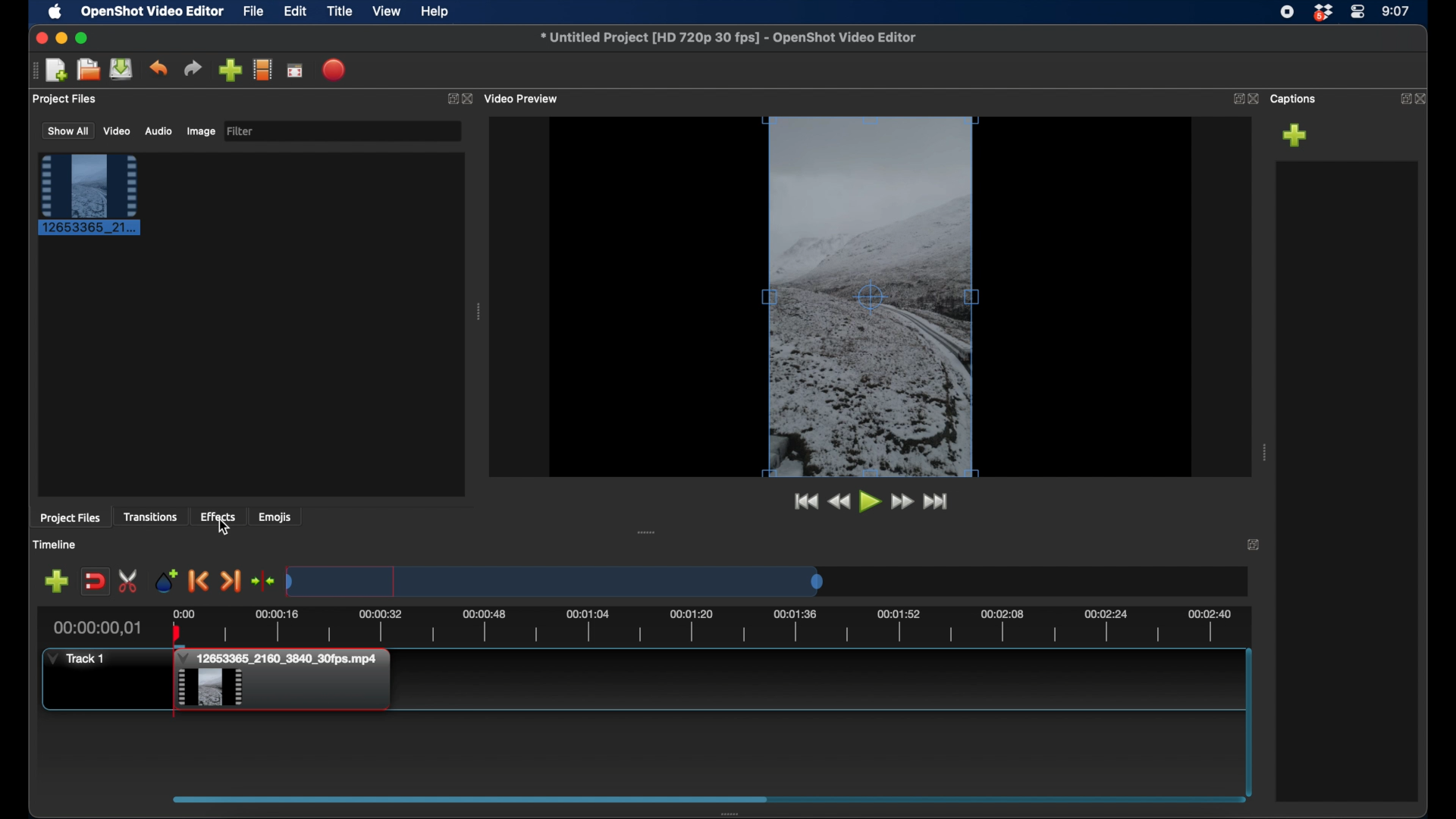  Describe the element at coordinates (1235, 99) in the screenshot. I see `expand` at that location.